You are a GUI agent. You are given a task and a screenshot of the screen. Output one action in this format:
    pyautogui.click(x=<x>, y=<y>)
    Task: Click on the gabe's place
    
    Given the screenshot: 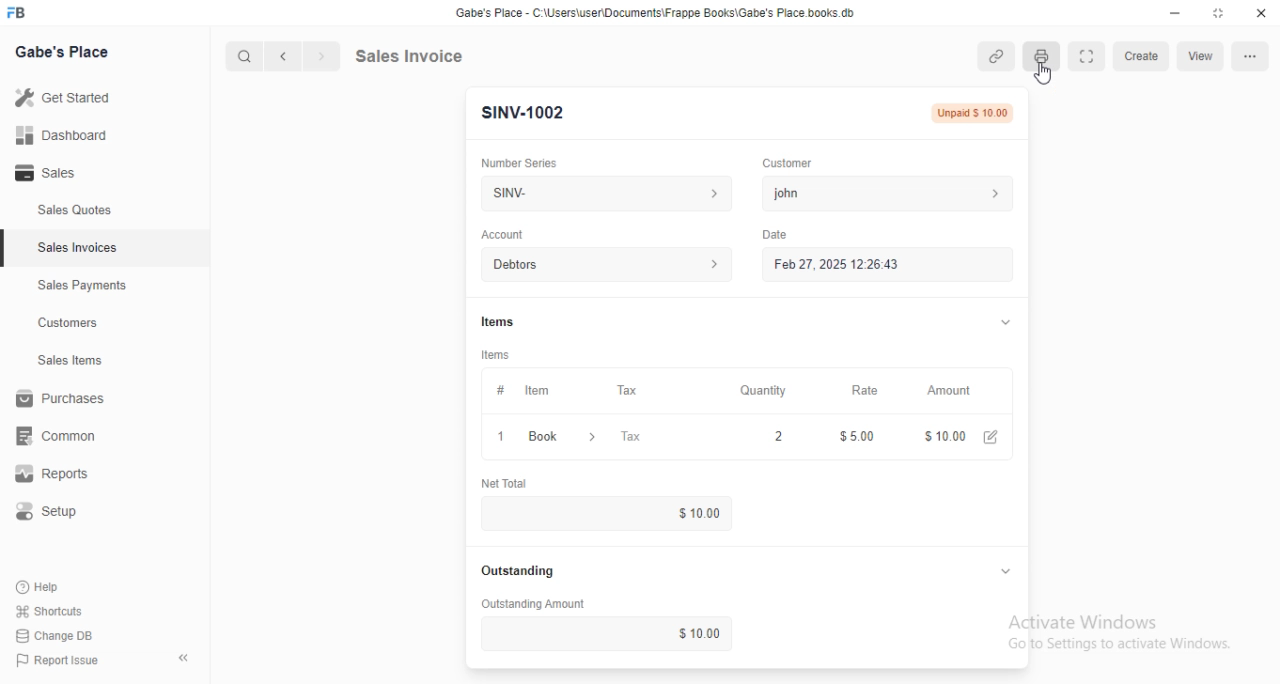 What is the action you would take?
    pyautogui.click(x=63, y=51)
    